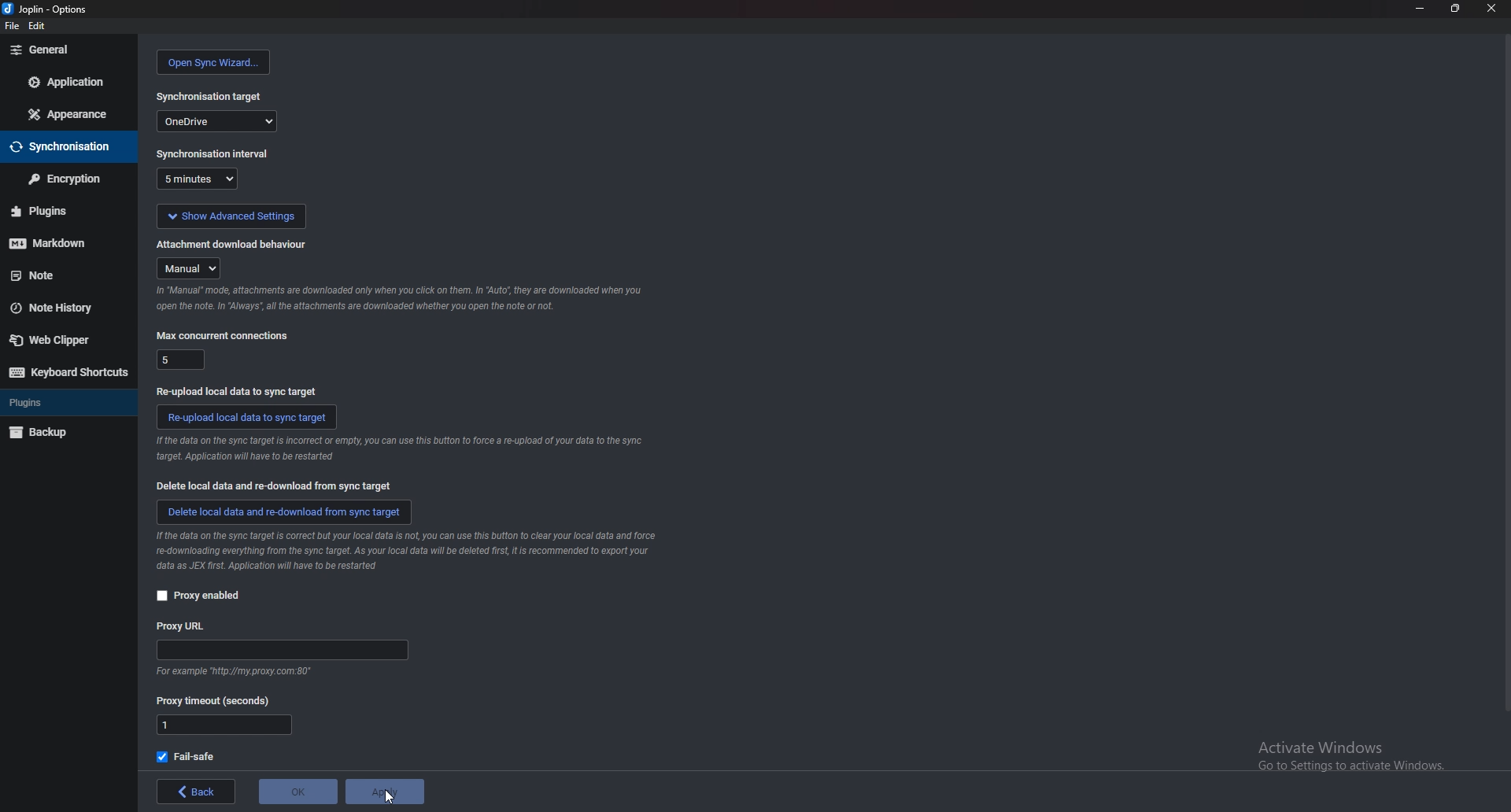  What do you see at coordinates (12, 26) in the screenshot?
I see `file` at bounding box center [12, 26].